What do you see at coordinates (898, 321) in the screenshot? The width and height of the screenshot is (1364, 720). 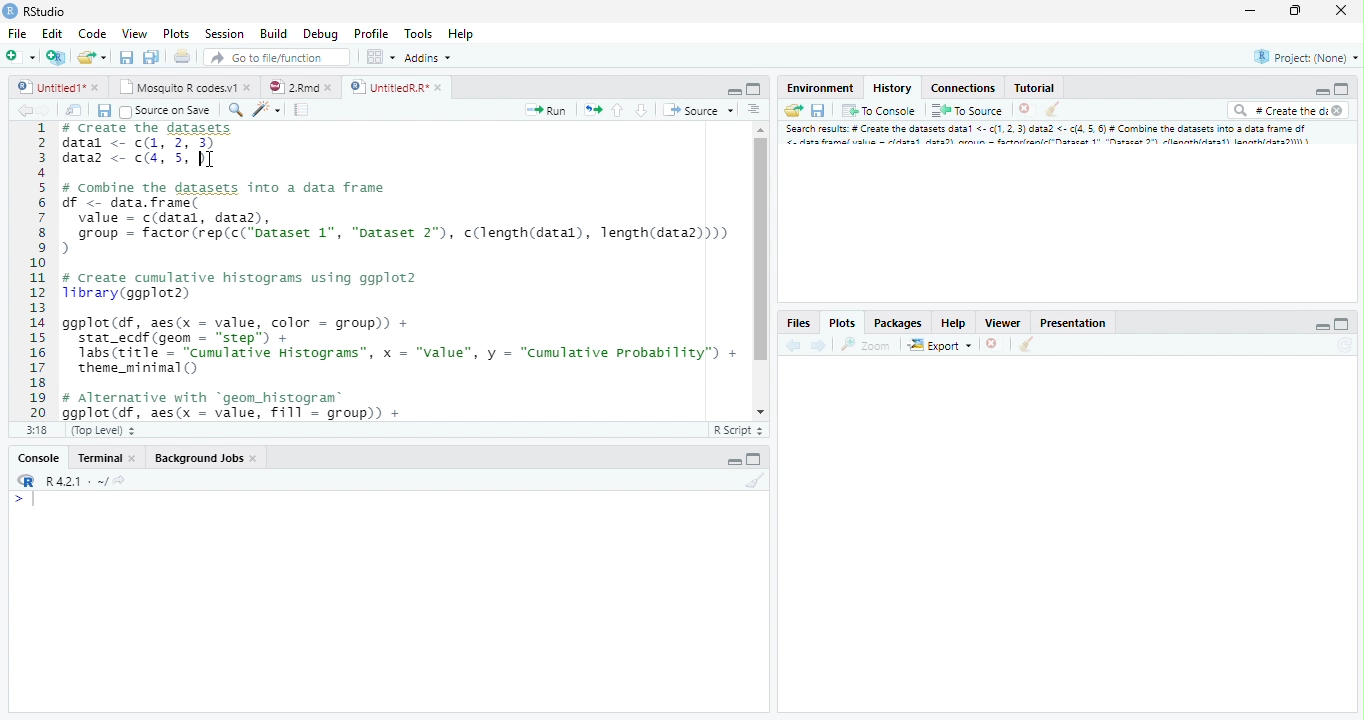 I see `Packages` at bounding box center [898, 321].